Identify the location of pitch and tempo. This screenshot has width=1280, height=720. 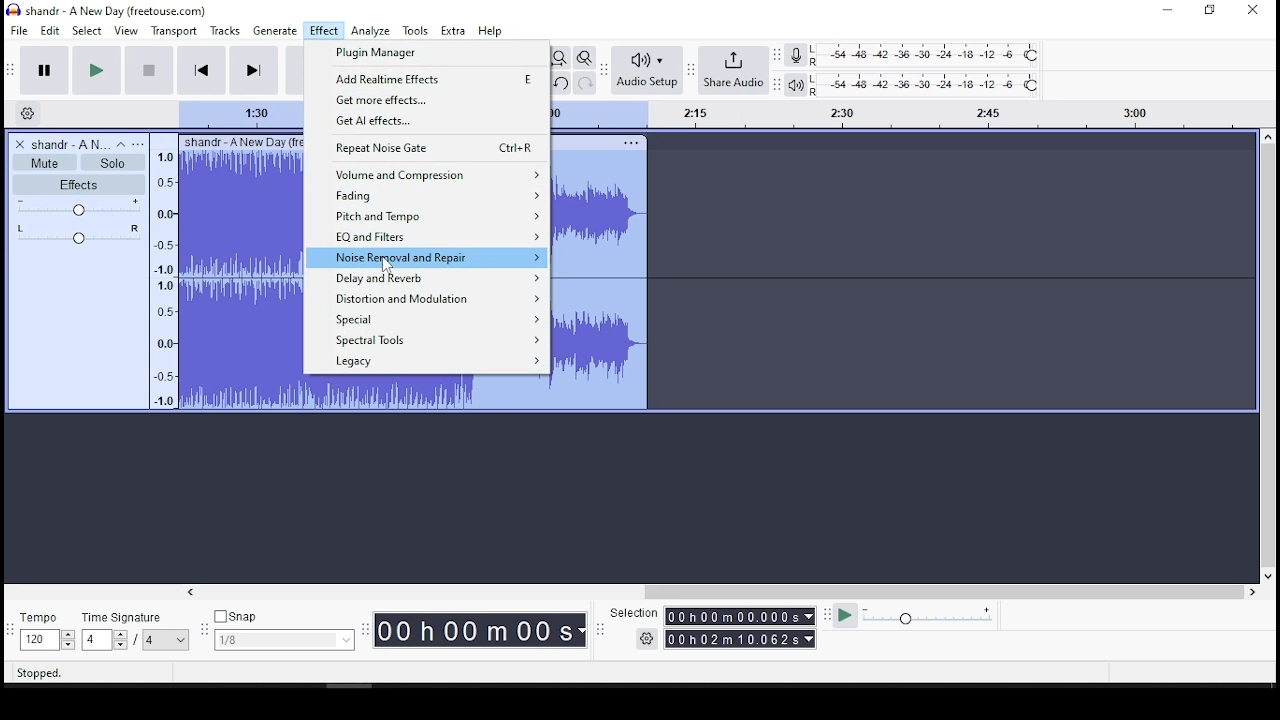
(427, 215).